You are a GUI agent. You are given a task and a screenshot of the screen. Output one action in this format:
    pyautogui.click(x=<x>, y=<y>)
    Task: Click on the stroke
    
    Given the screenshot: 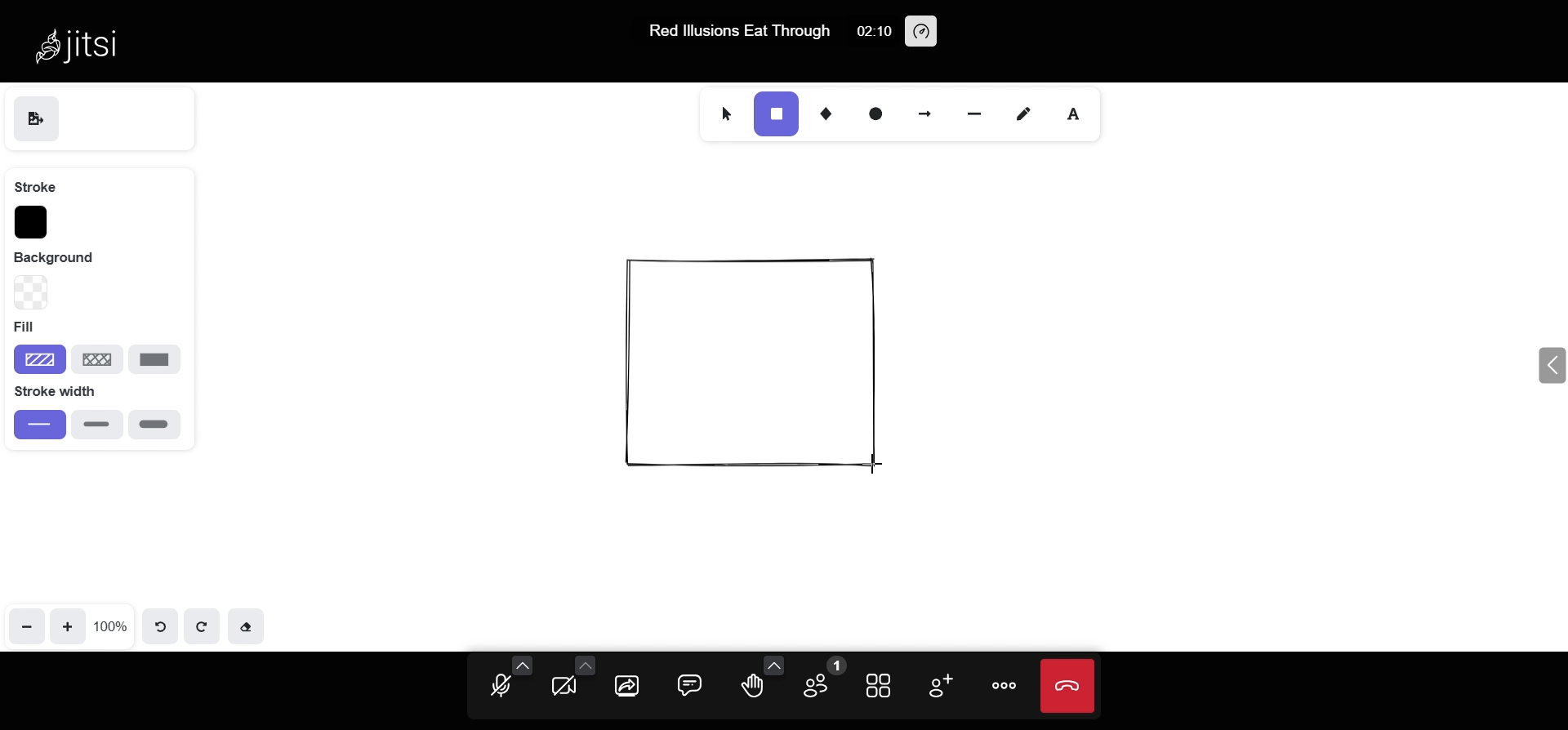 What is the action you would take?
    pyautogui.click(x=35, y=185)
    